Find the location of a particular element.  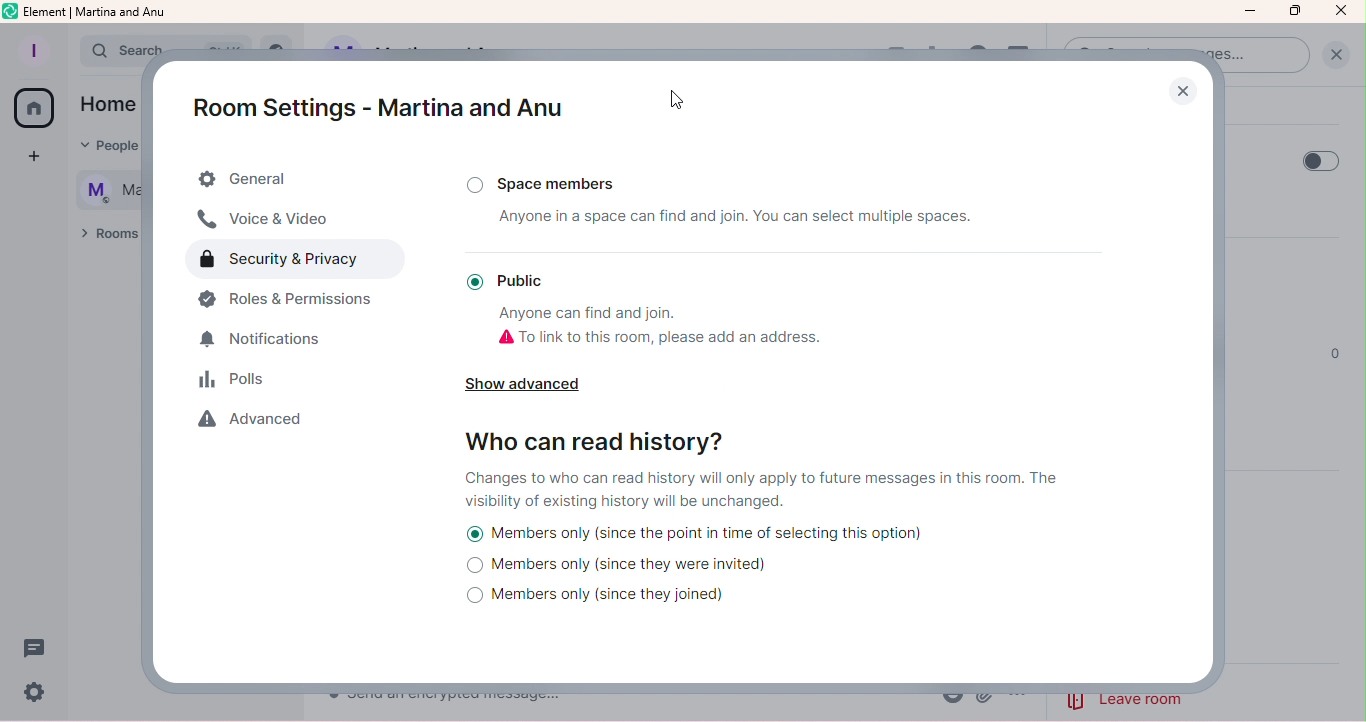

Settings is located at coordinates (34, 694).